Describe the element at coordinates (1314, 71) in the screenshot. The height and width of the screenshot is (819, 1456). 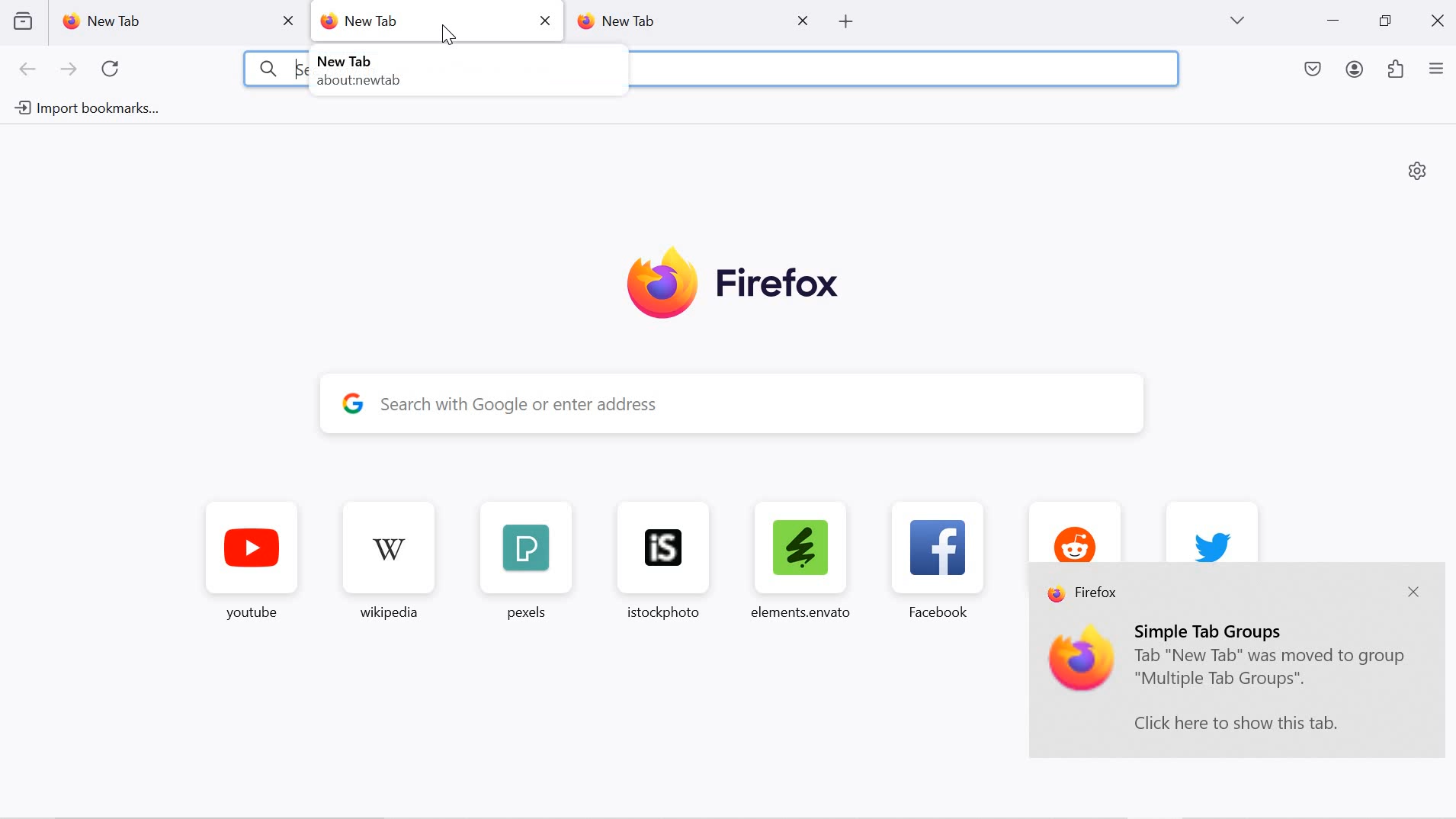
I see `save to pocket` at that location.